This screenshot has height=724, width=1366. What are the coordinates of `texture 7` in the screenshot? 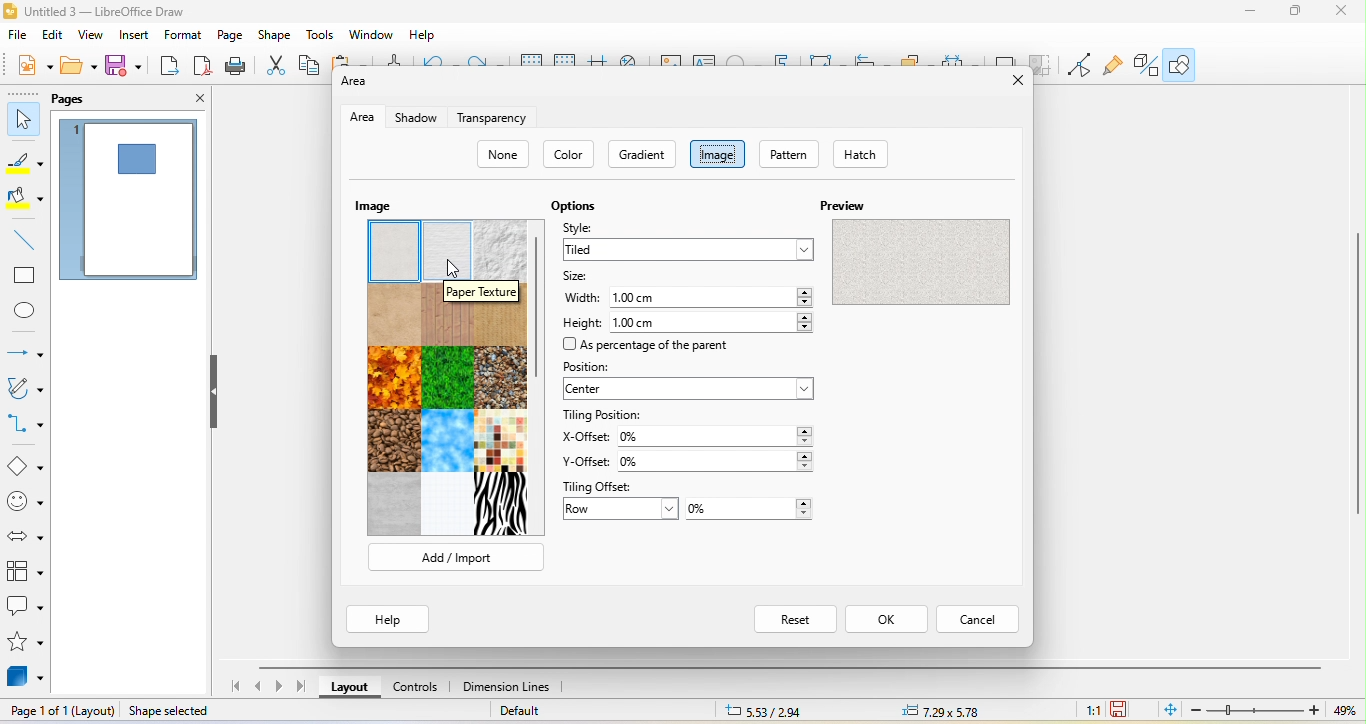 It's located at (395, 376).